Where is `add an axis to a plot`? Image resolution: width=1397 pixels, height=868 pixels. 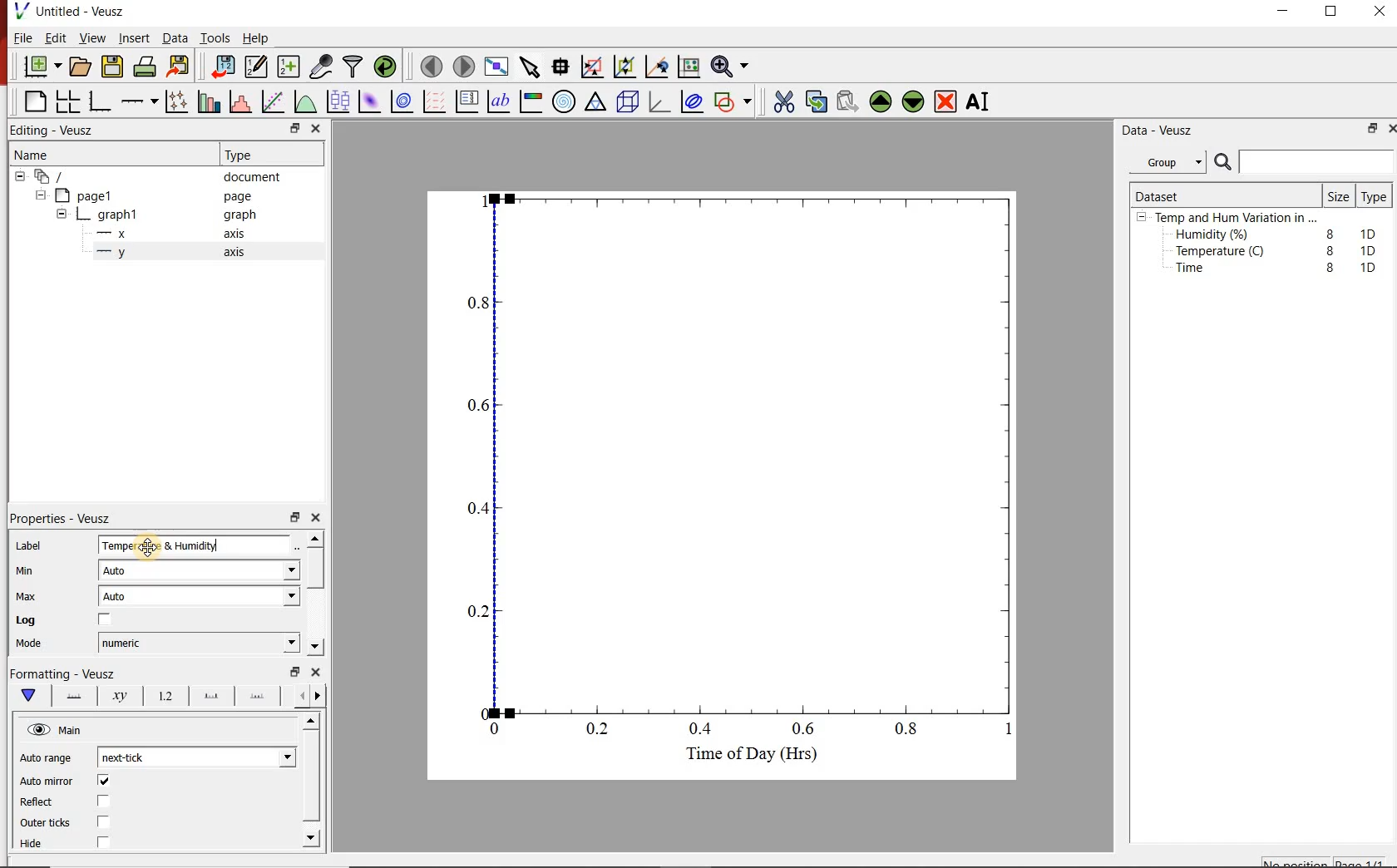
add an axis to a plot is located at coordinates (141, 100).